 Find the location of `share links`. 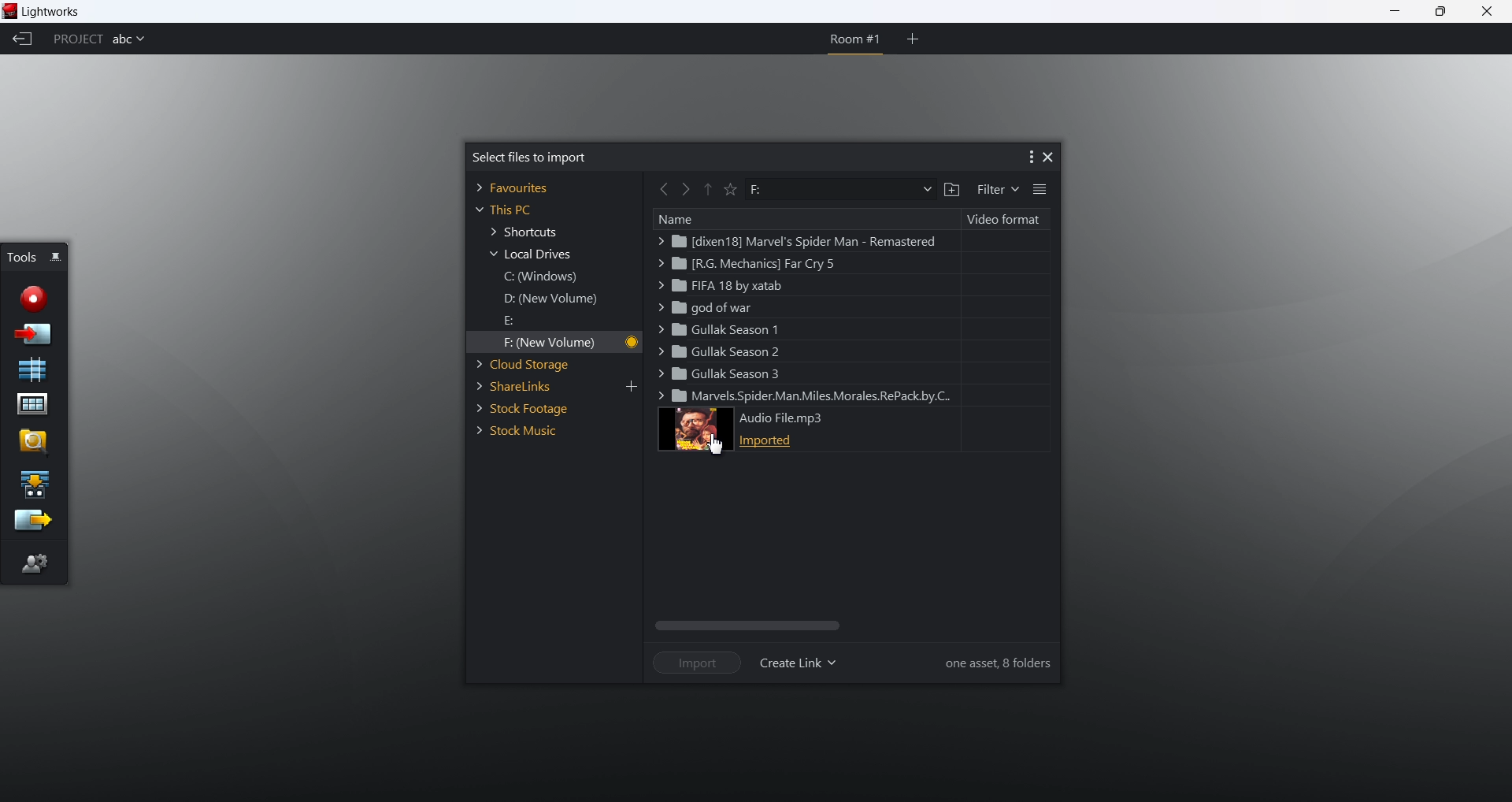

share links is located at coordinates (519, 388).